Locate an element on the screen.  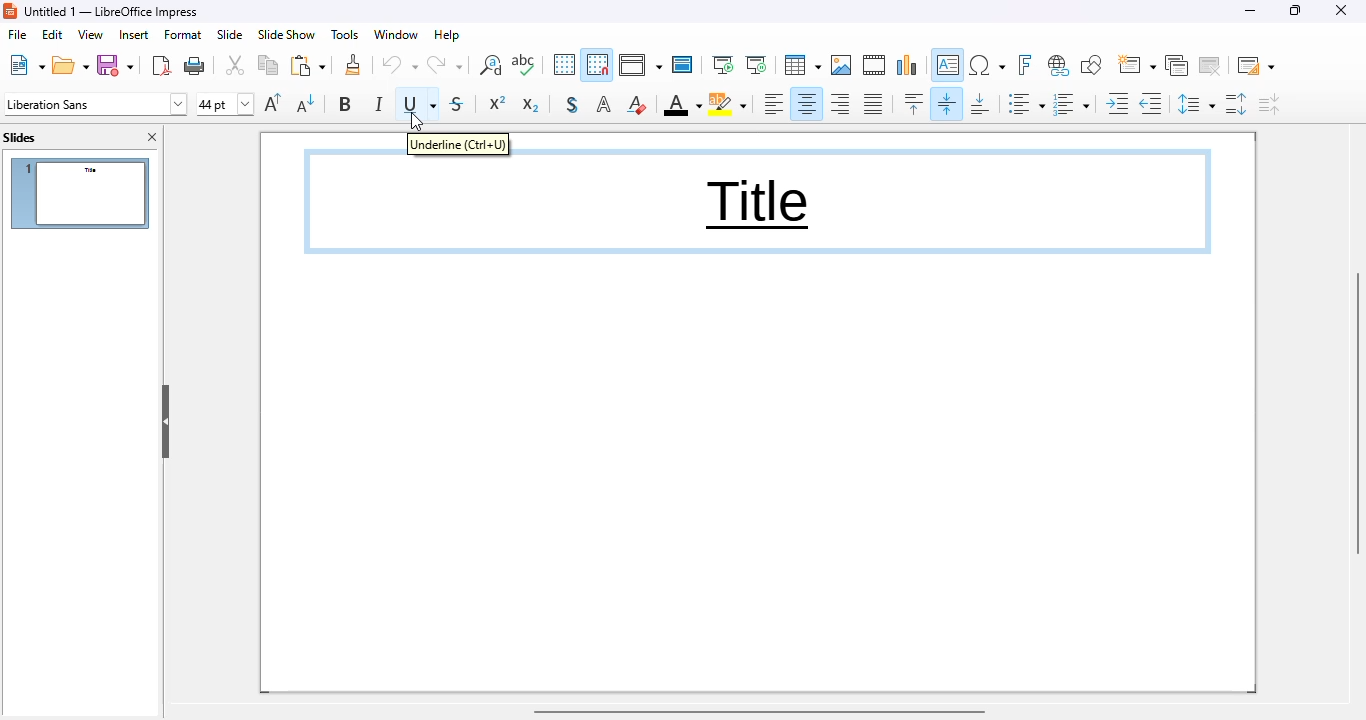
decrease font size is located at coordinates (306, 102).